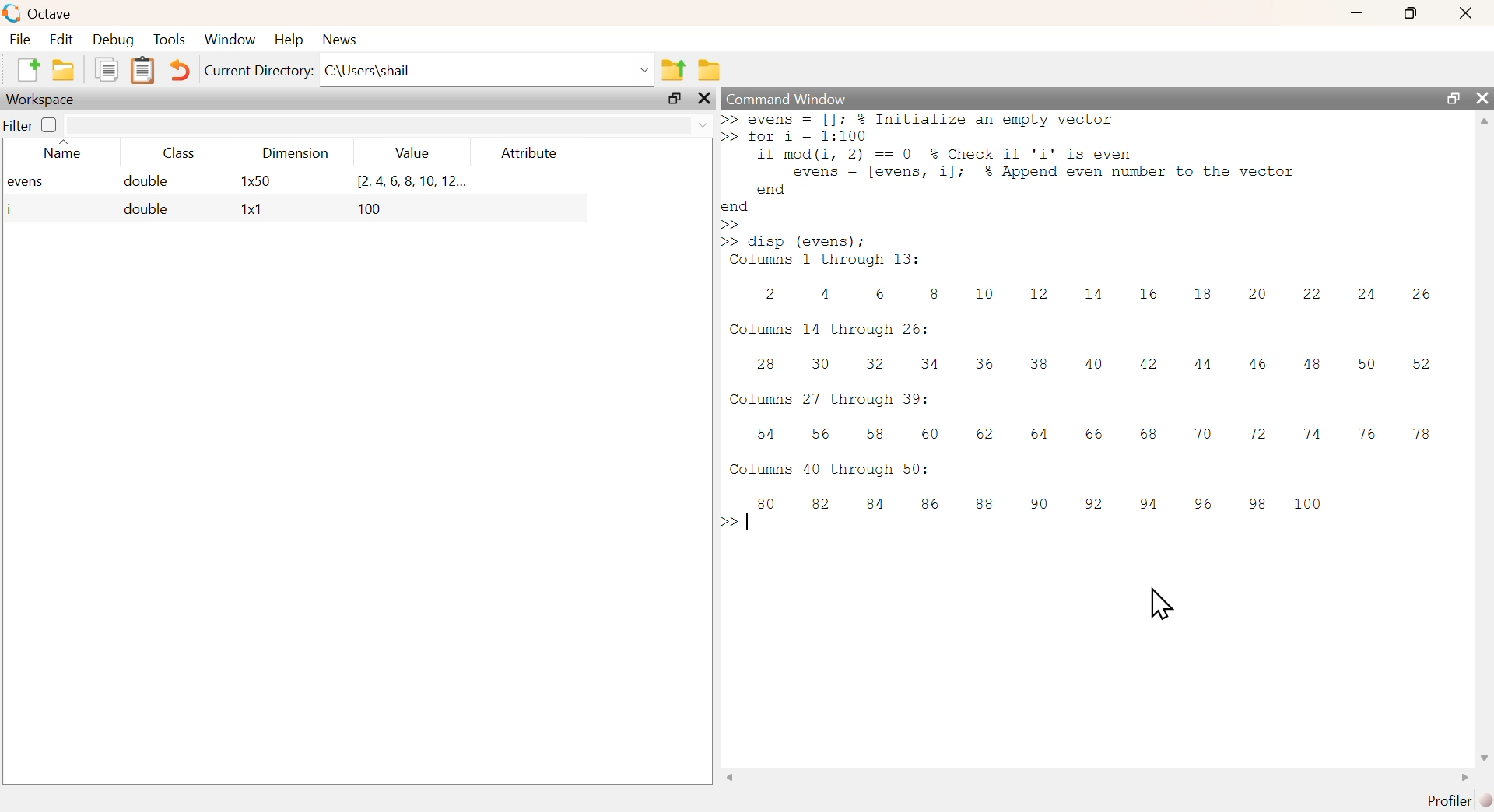 The width and height of the screenshot is (1494, 812). I want to click on 1x50, so click(256, 182).